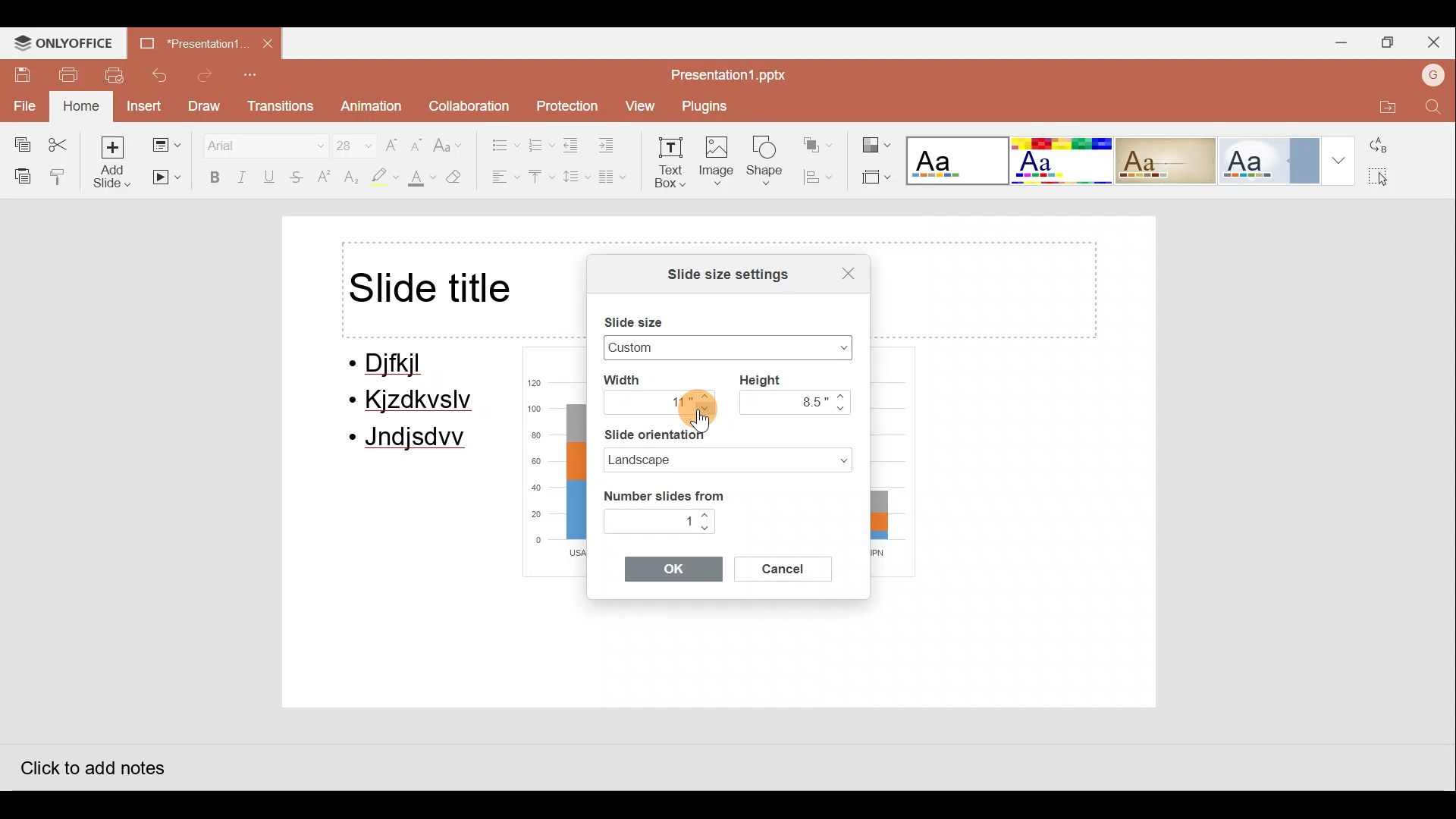 This screenshot has height=819, width=1456. What do you see at coordinates (113, 162) in the screenshot?
I see `Add slide` at bounding box center [113, 162].